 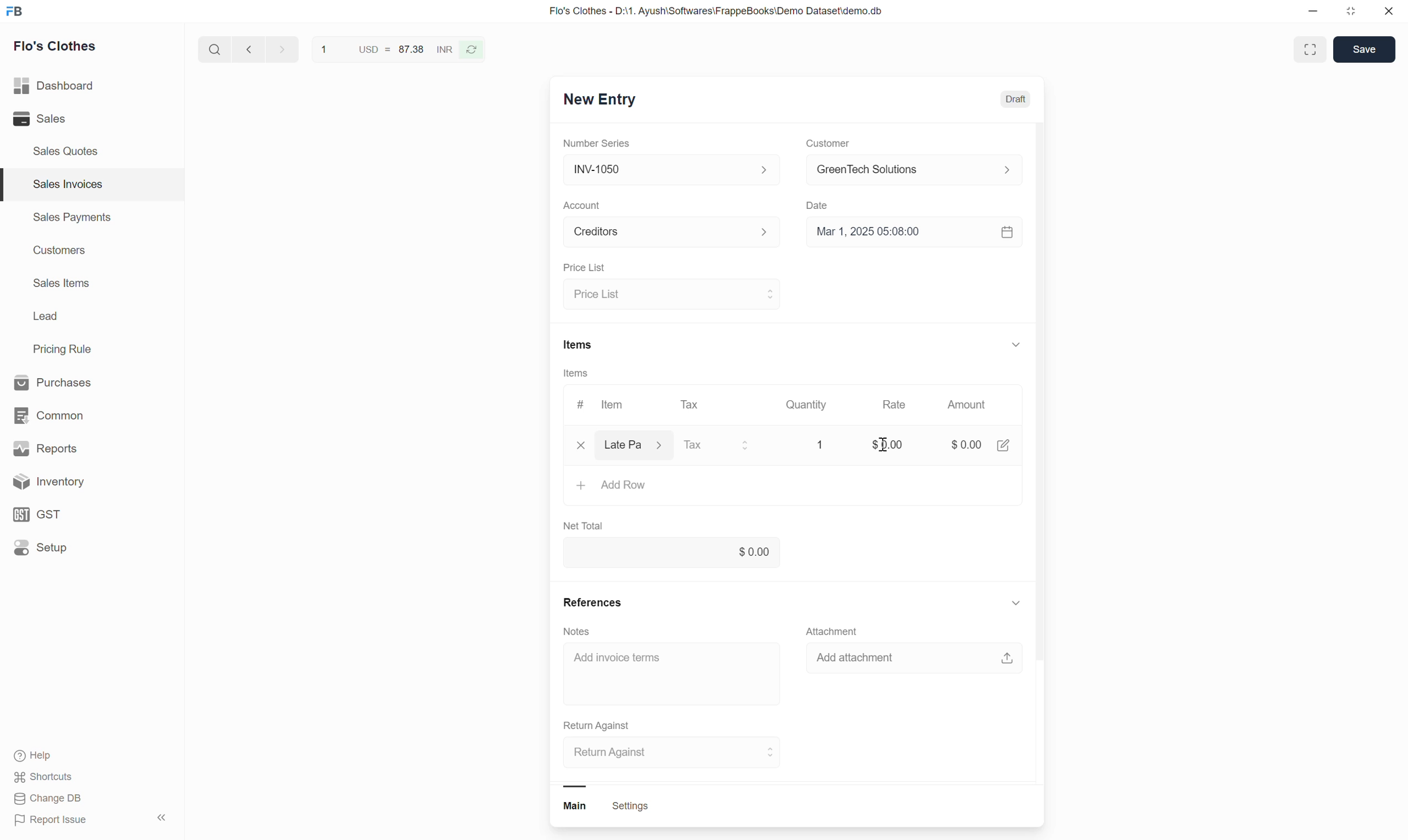 I want to click on Help, so click(x=59, y=755).